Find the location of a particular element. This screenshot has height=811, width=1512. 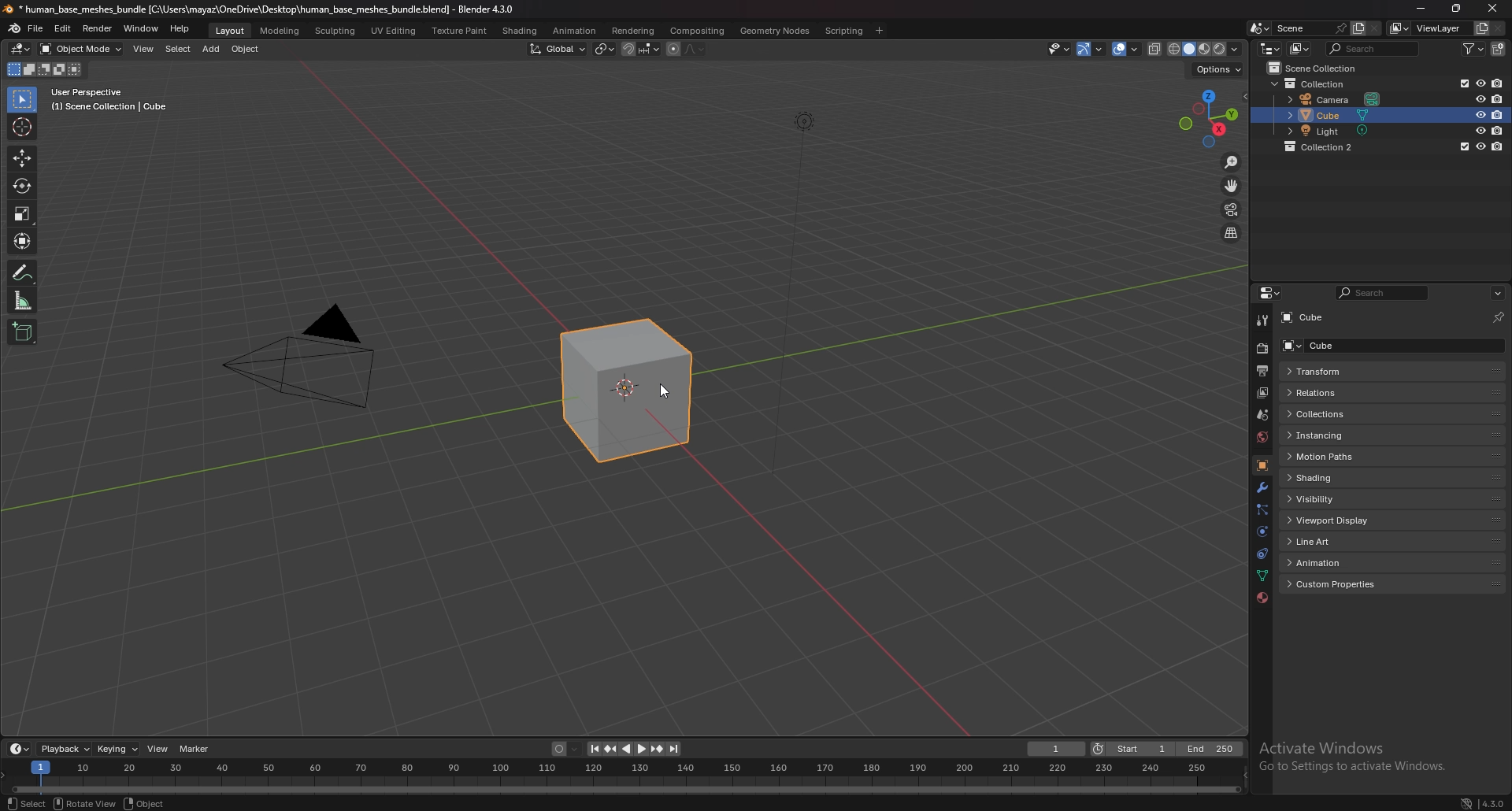

disable in renders is located at coordinates (1498, 146).